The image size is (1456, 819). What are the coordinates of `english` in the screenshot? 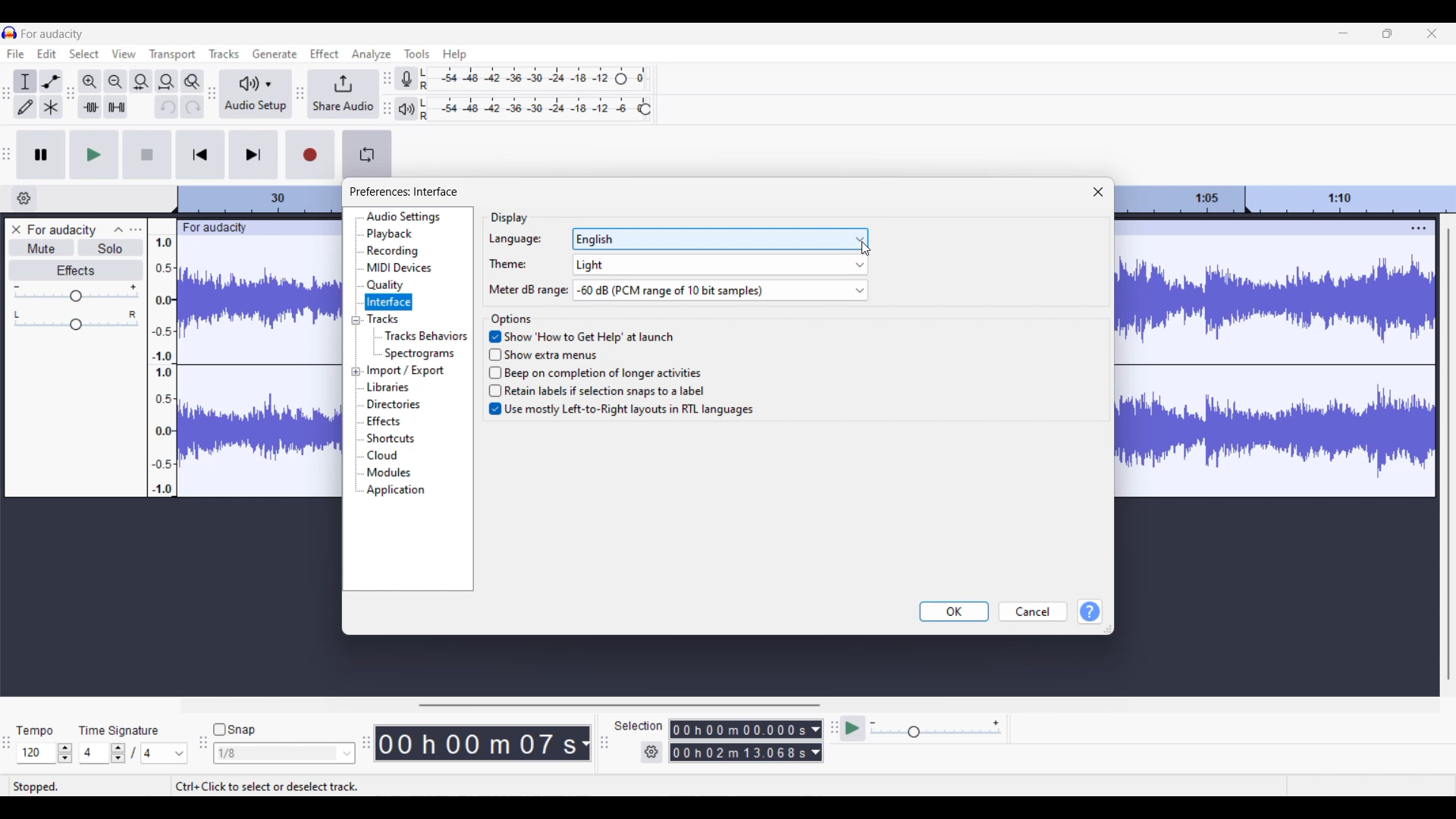 It's located at (719, 239).